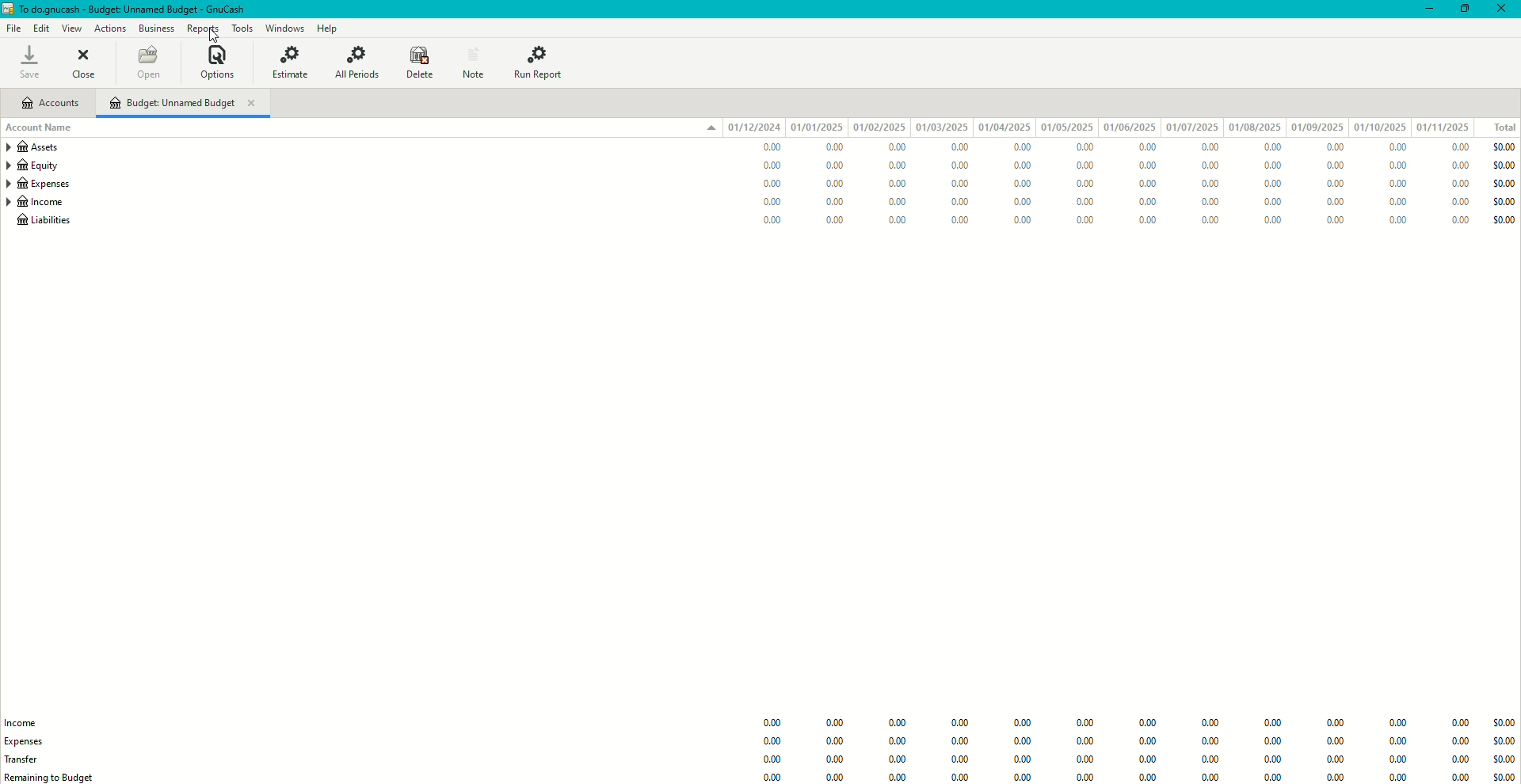 This screenshot has width=1521, height=784. Describe the element at coordinates (776, 722) in the screenshot. I see `0.00` at that location.